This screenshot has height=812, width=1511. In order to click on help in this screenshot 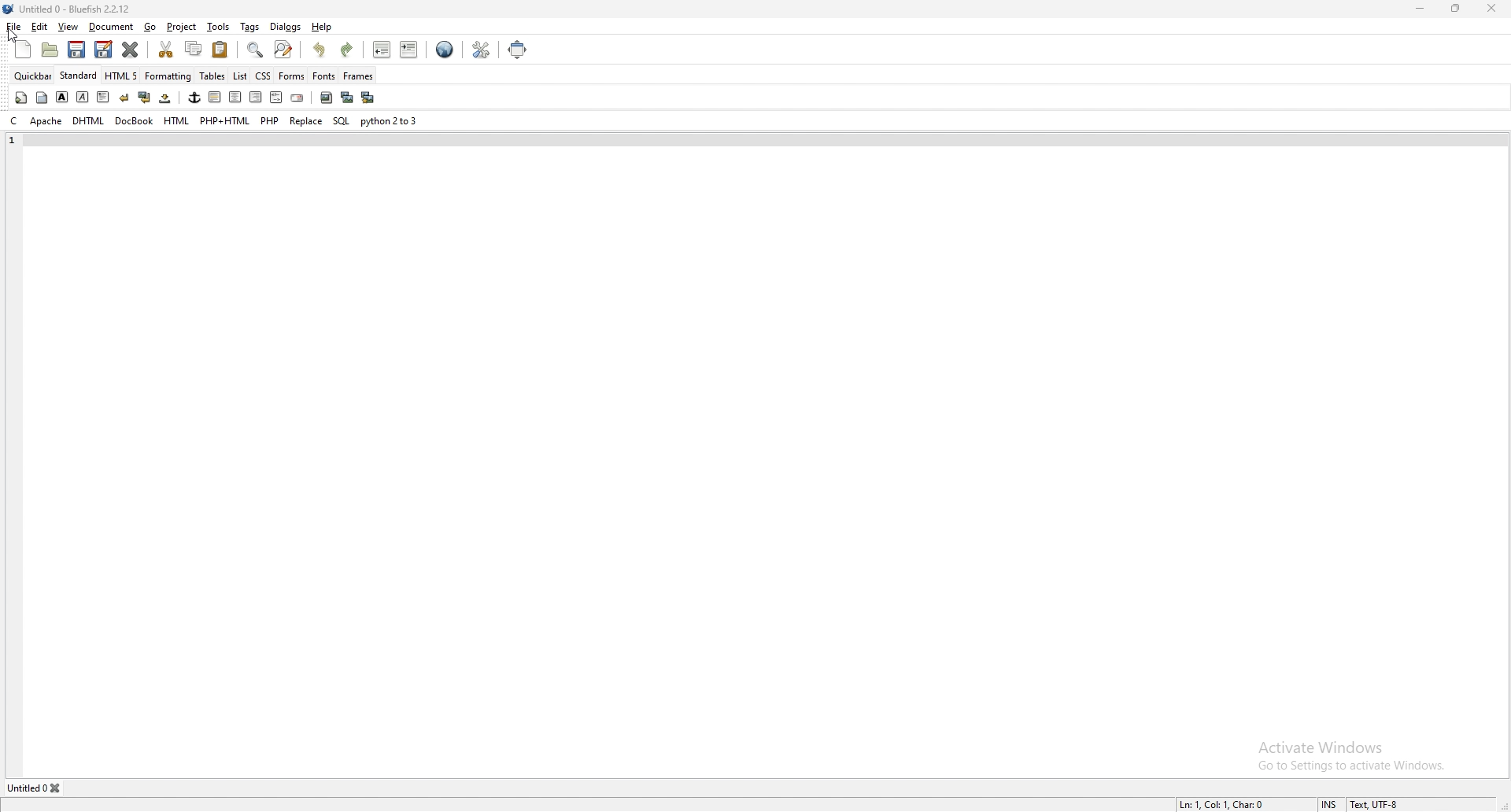, I will do `click(323, 28)`.